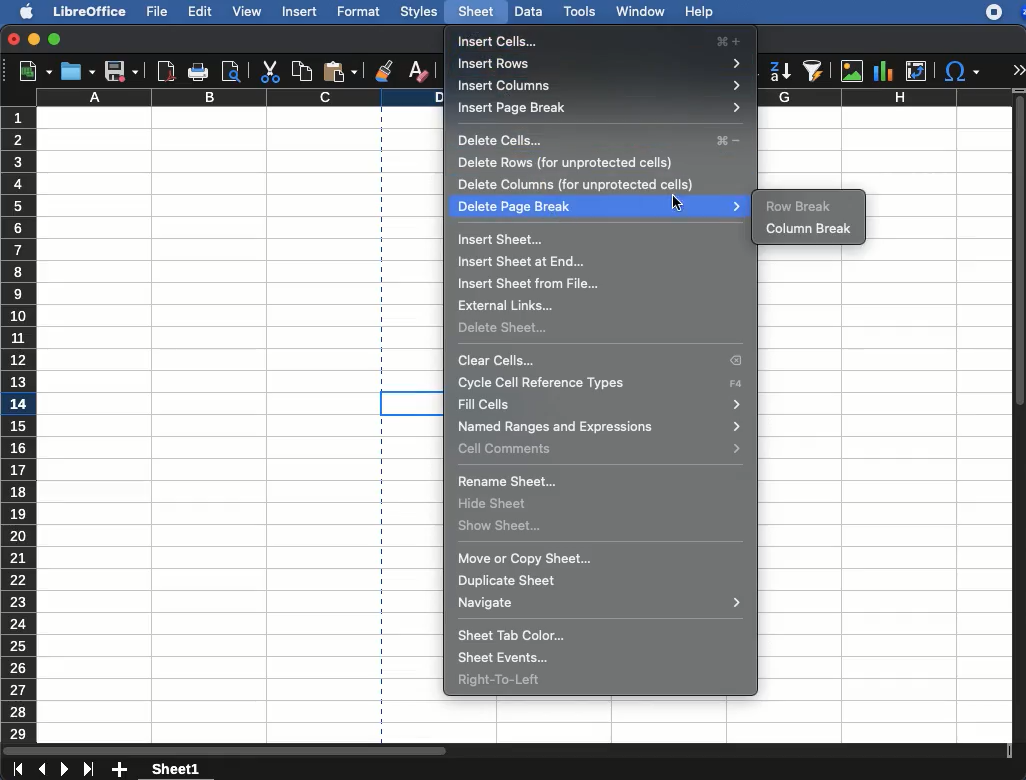  Describe the element at coordinates (603, 142) in the screenshot. I see `delete cells` at that location.